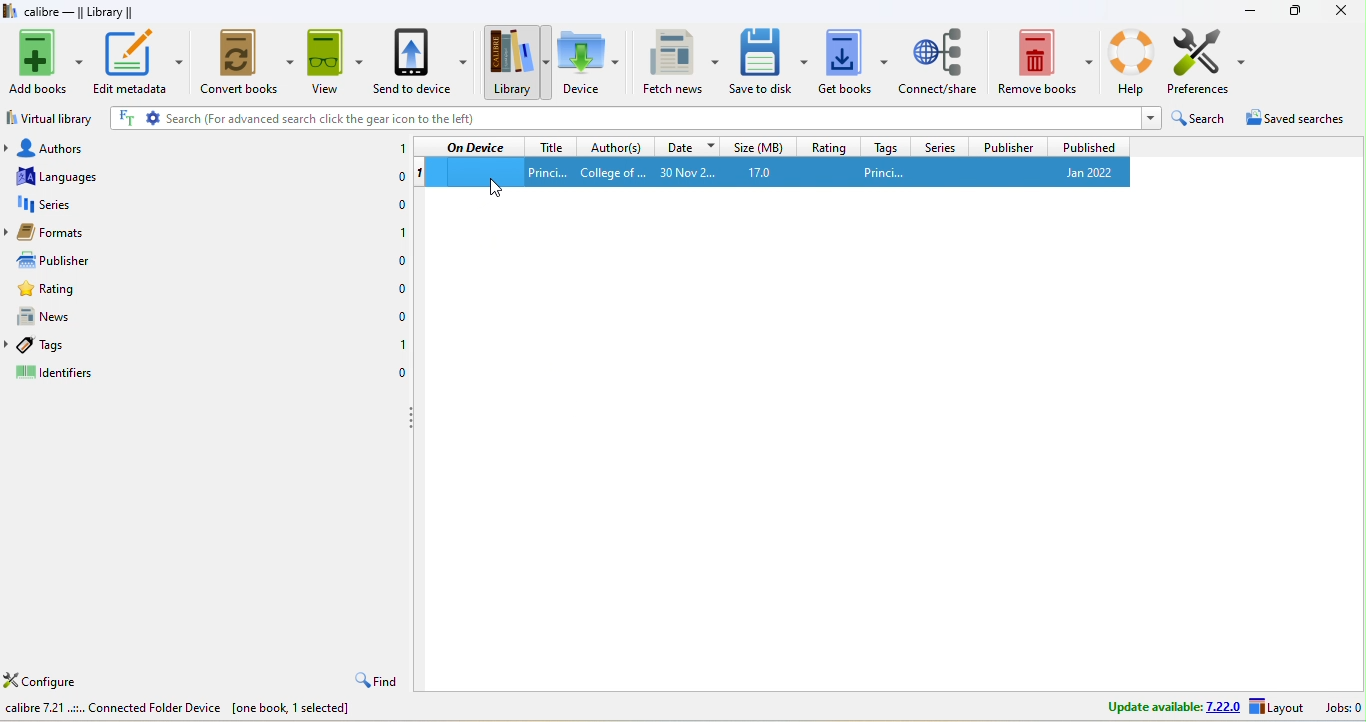  I want to click on jan 2022, so click(1082, 172).